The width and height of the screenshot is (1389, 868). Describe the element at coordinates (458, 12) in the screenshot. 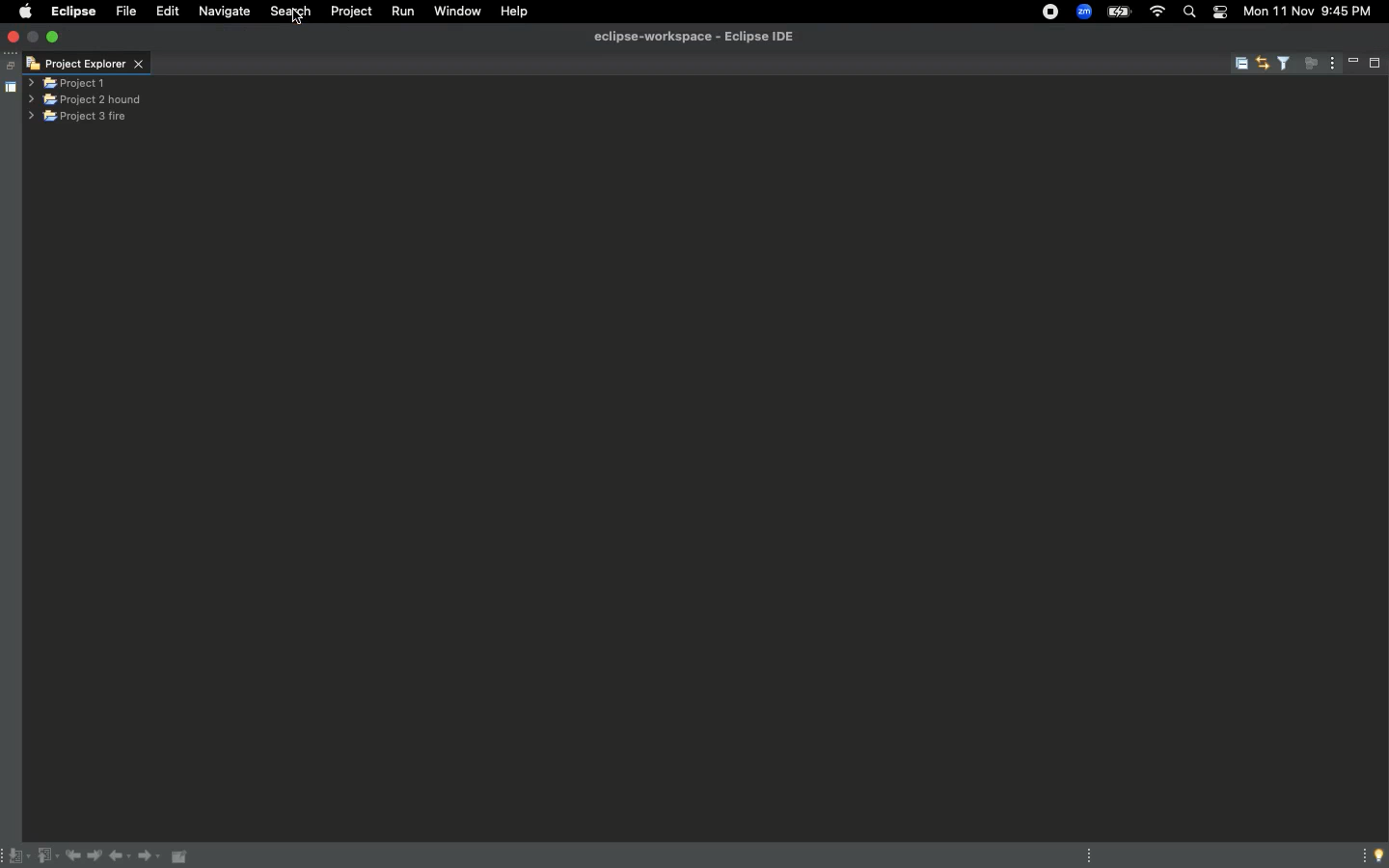

I see `Window` at that location.